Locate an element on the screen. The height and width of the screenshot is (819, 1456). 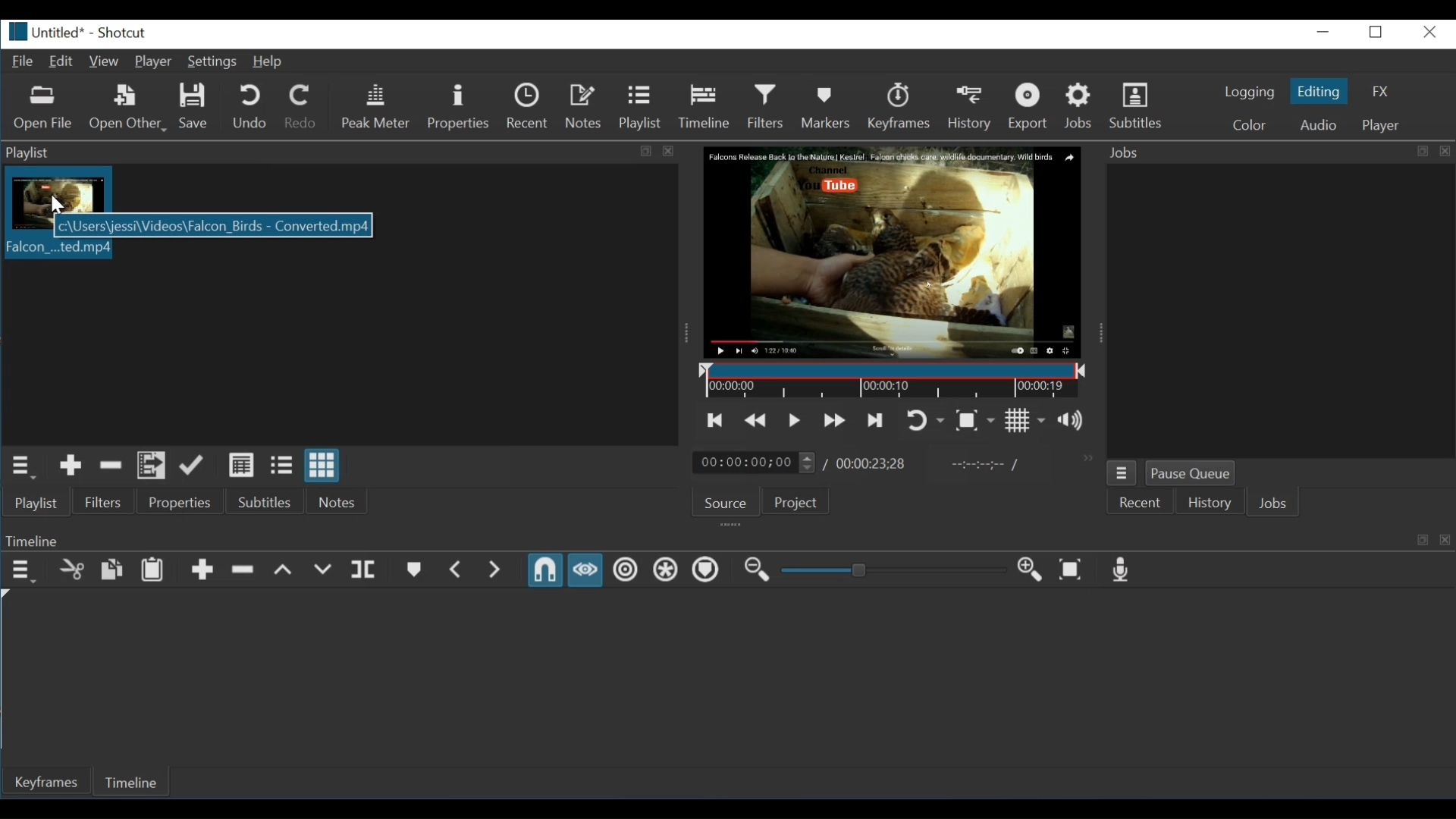
Append is located at coordinates (203, 570).